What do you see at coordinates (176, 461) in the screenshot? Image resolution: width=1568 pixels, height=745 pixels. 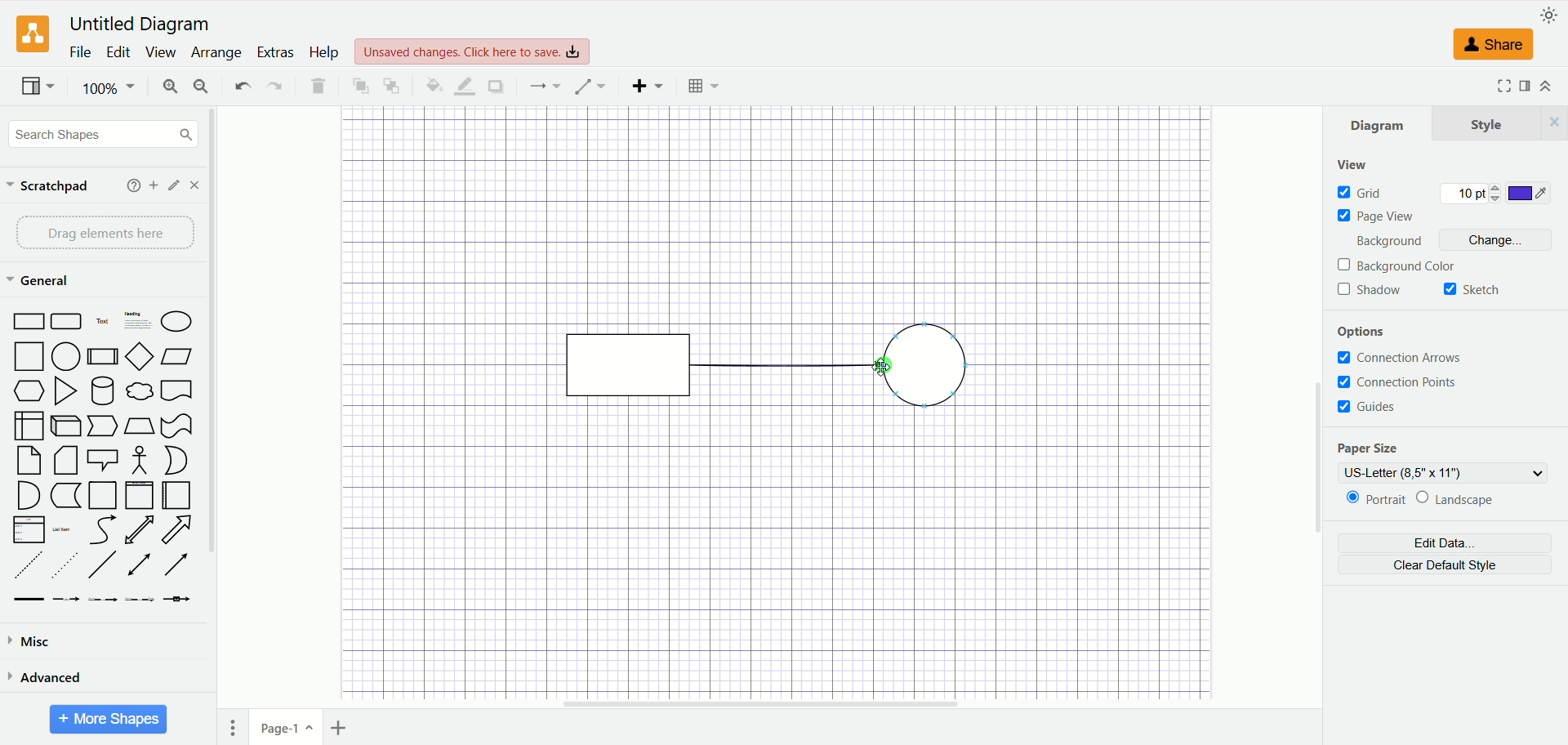 I see `Circle Segment` at bounding box center [176, 461].